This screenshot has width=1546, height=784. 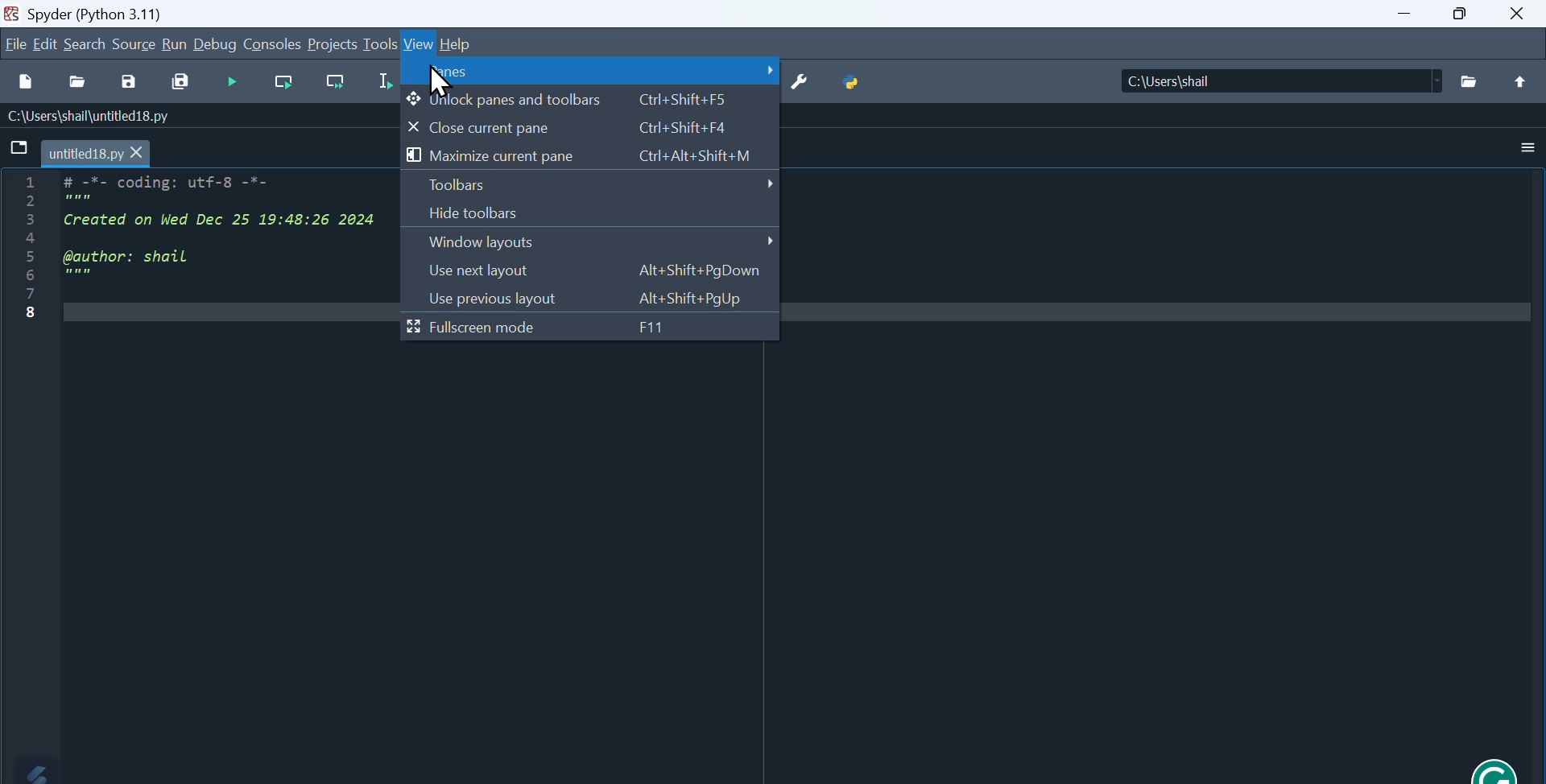 I want to click on Debug, so click(x=217, y=43).